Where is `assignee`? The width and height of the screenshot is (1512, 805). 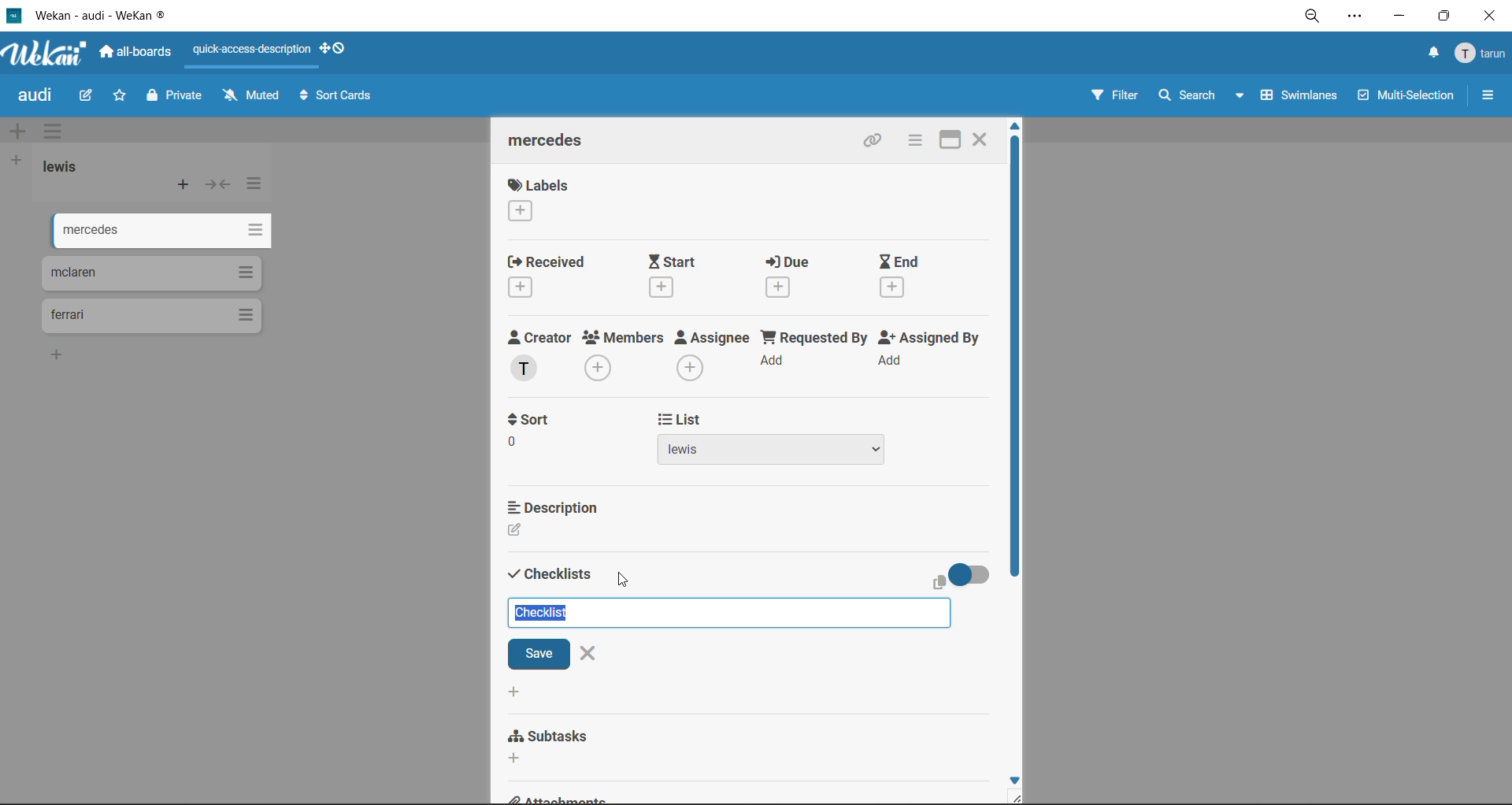 assignee is located at coordinates (717, 358).